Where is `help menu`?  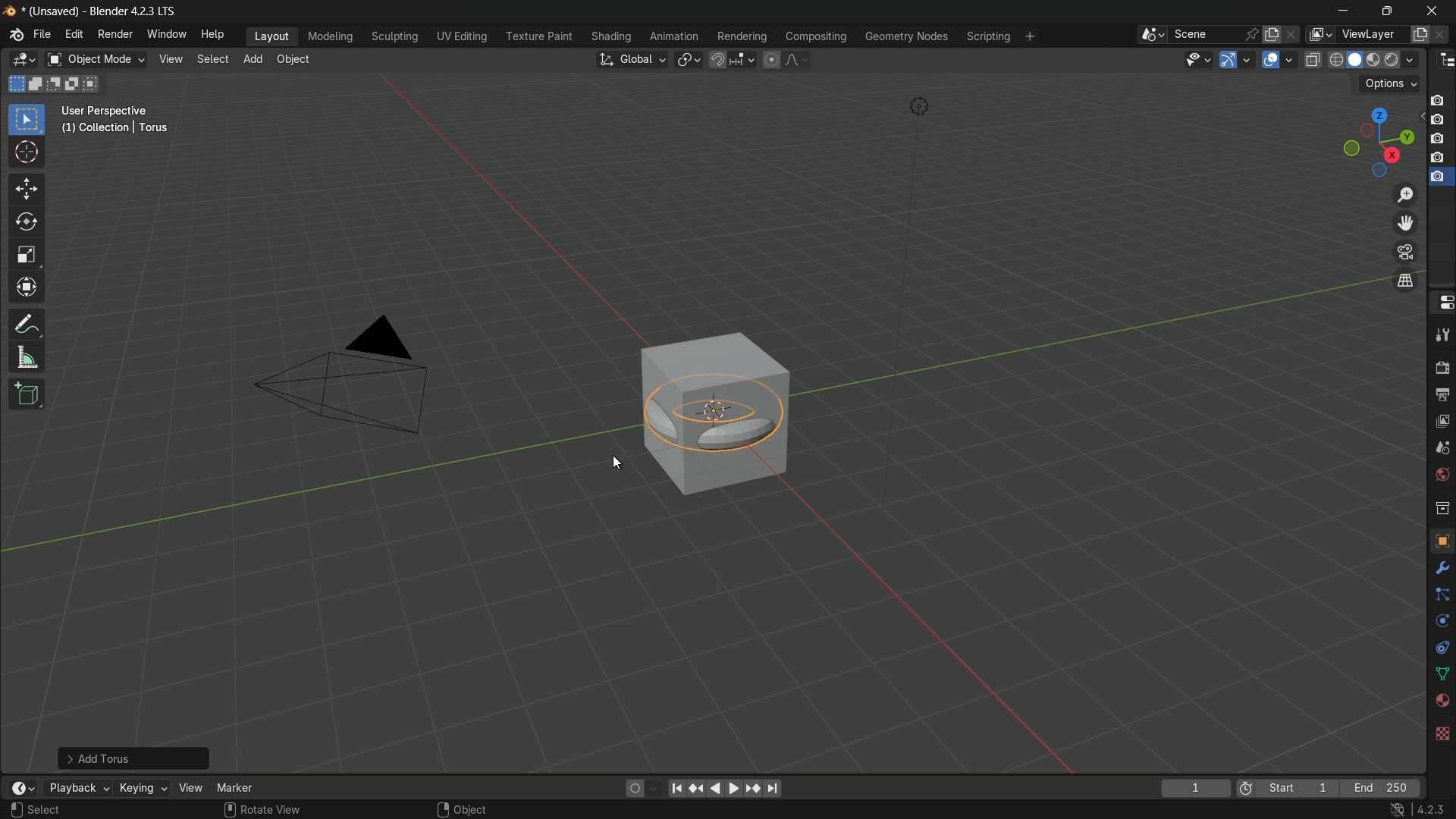 help menu is located at coordinates (215, 35).